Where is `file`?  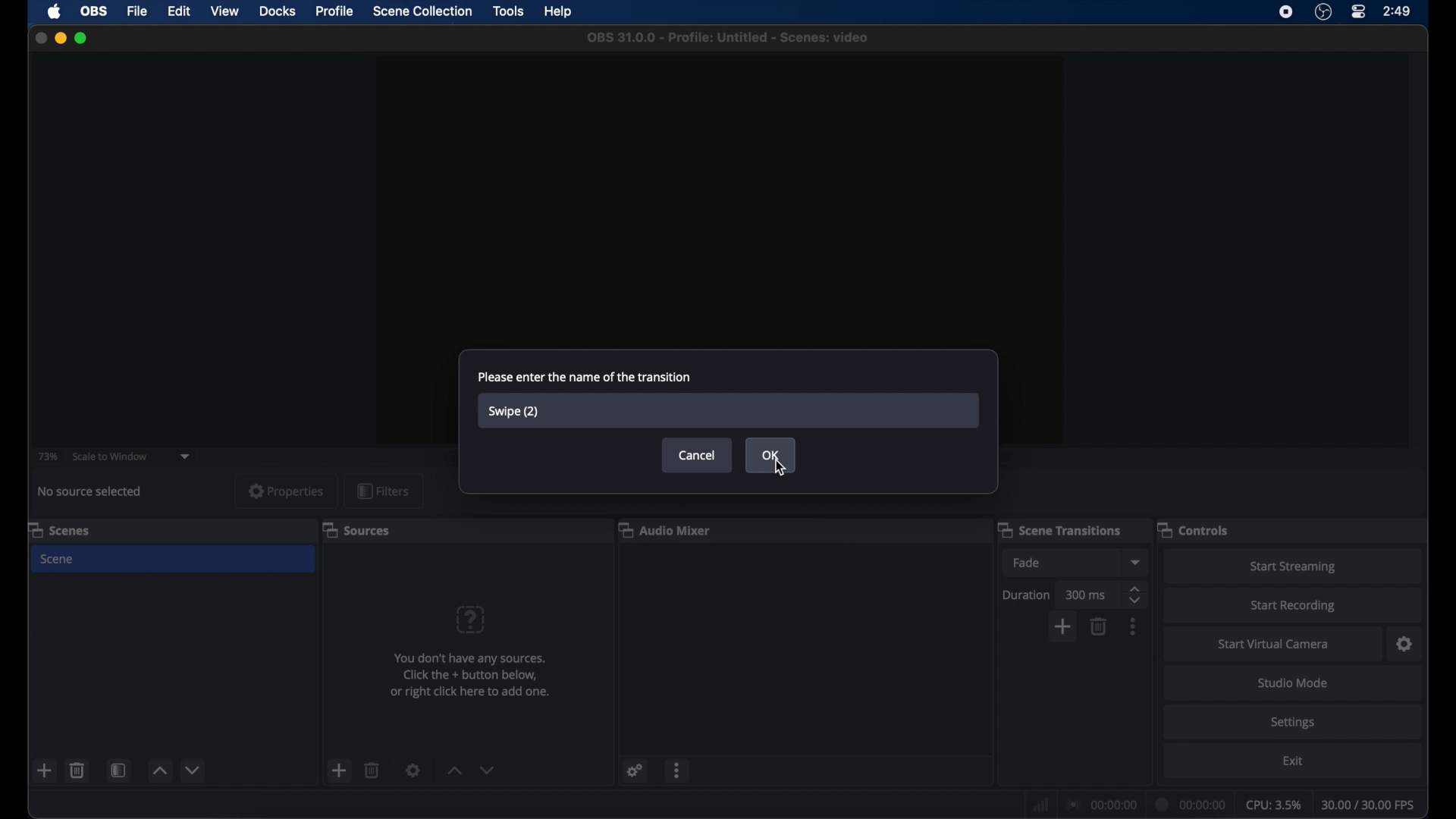 file is located at coordinates (137, 11).